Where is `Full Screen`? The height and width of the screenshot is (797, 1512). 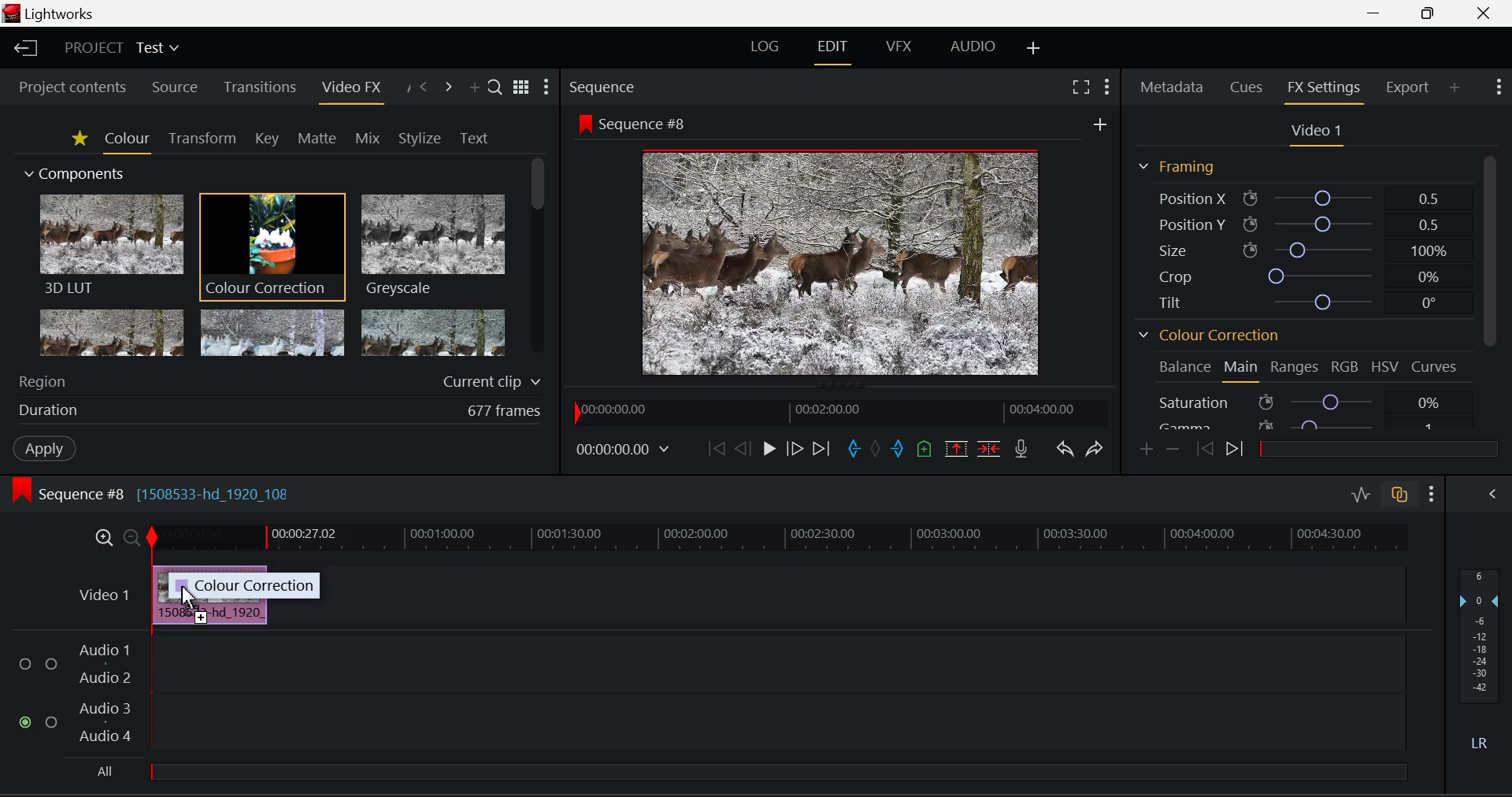 Full Screen is located at coordinates (1081, 88).